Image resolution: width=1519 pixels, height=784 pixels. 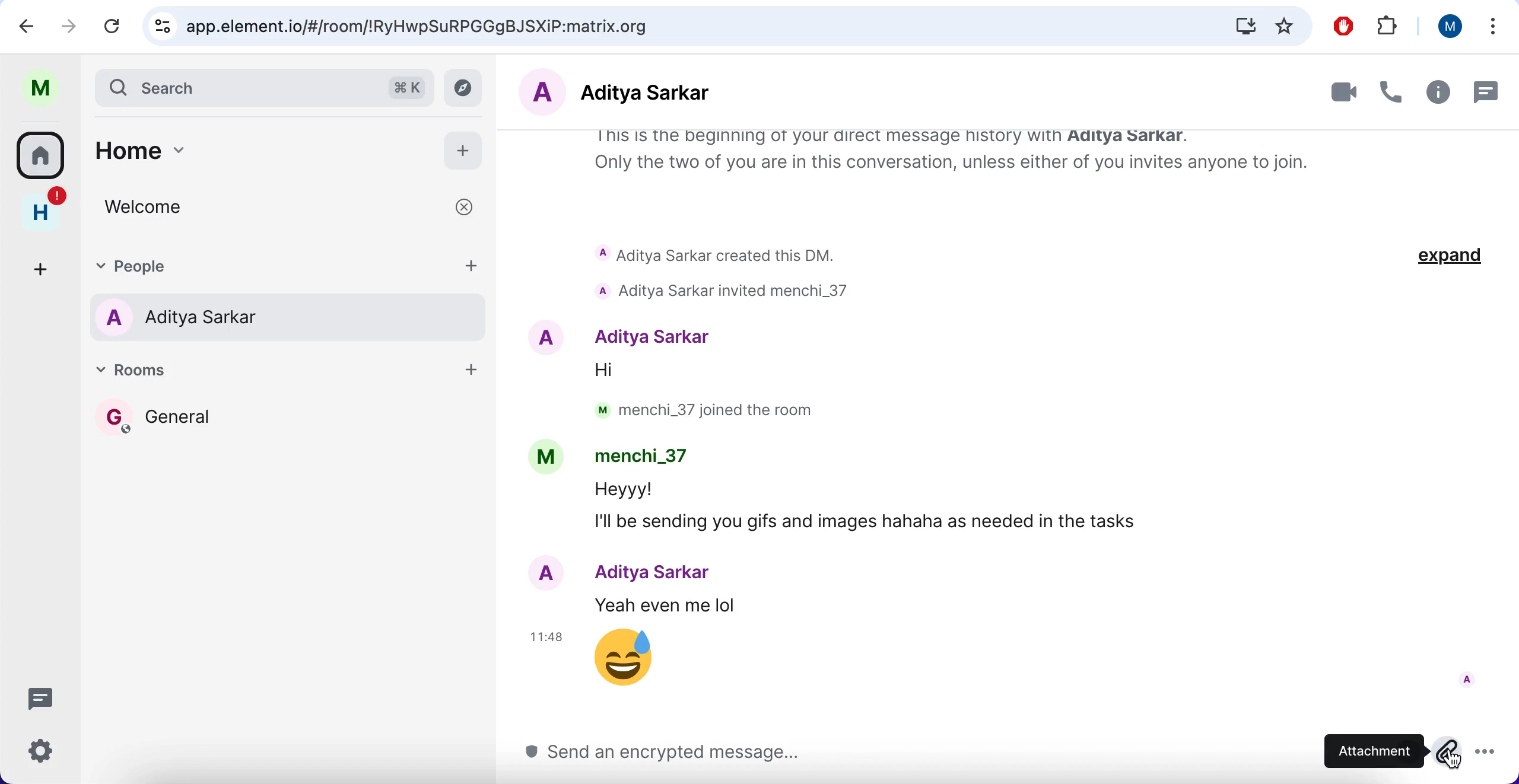 I want to click on Hi, so click(x=605, y=366).